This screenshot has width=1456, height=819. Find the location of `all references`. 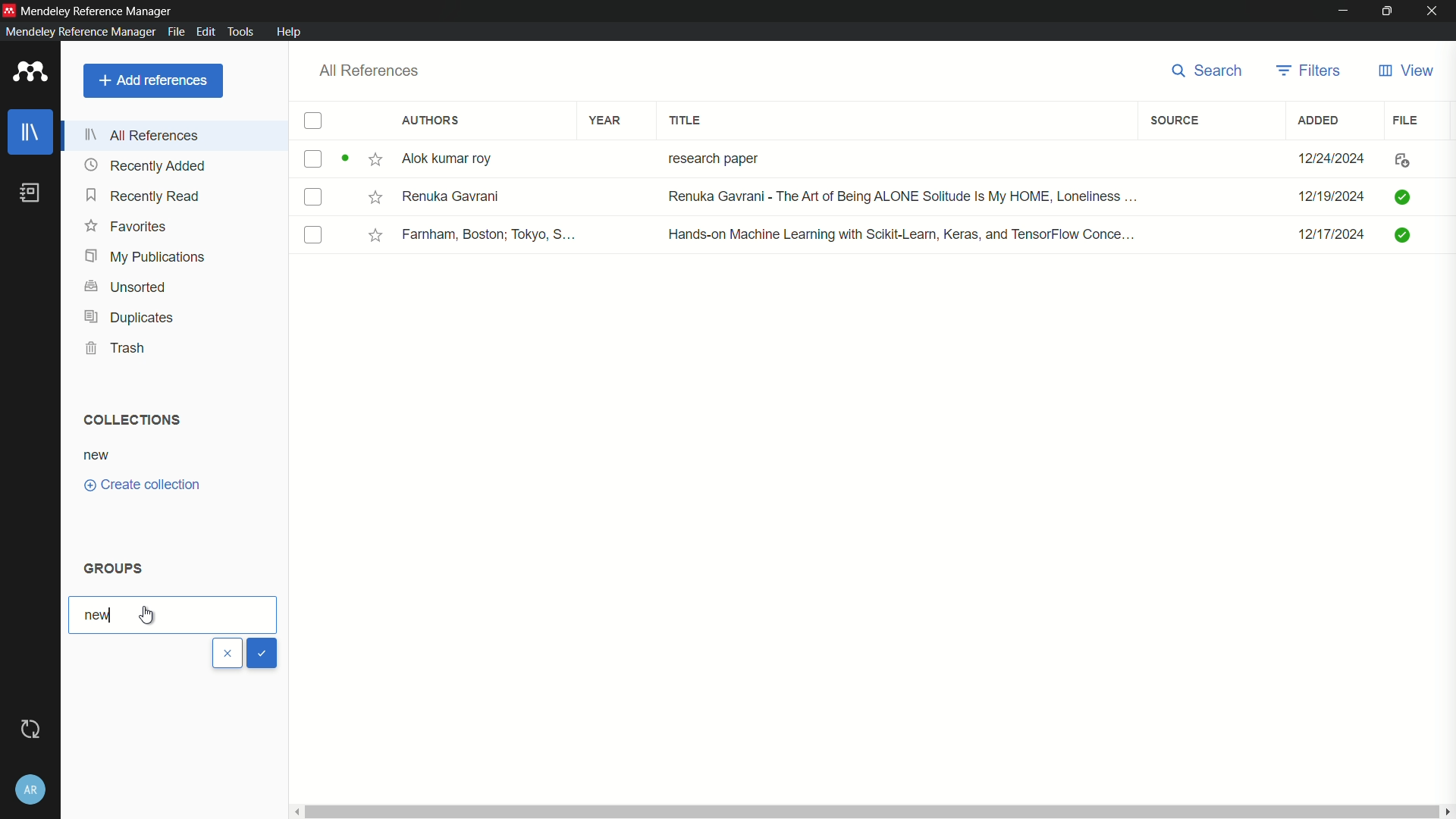

all references is located at coordinates (369, 71).